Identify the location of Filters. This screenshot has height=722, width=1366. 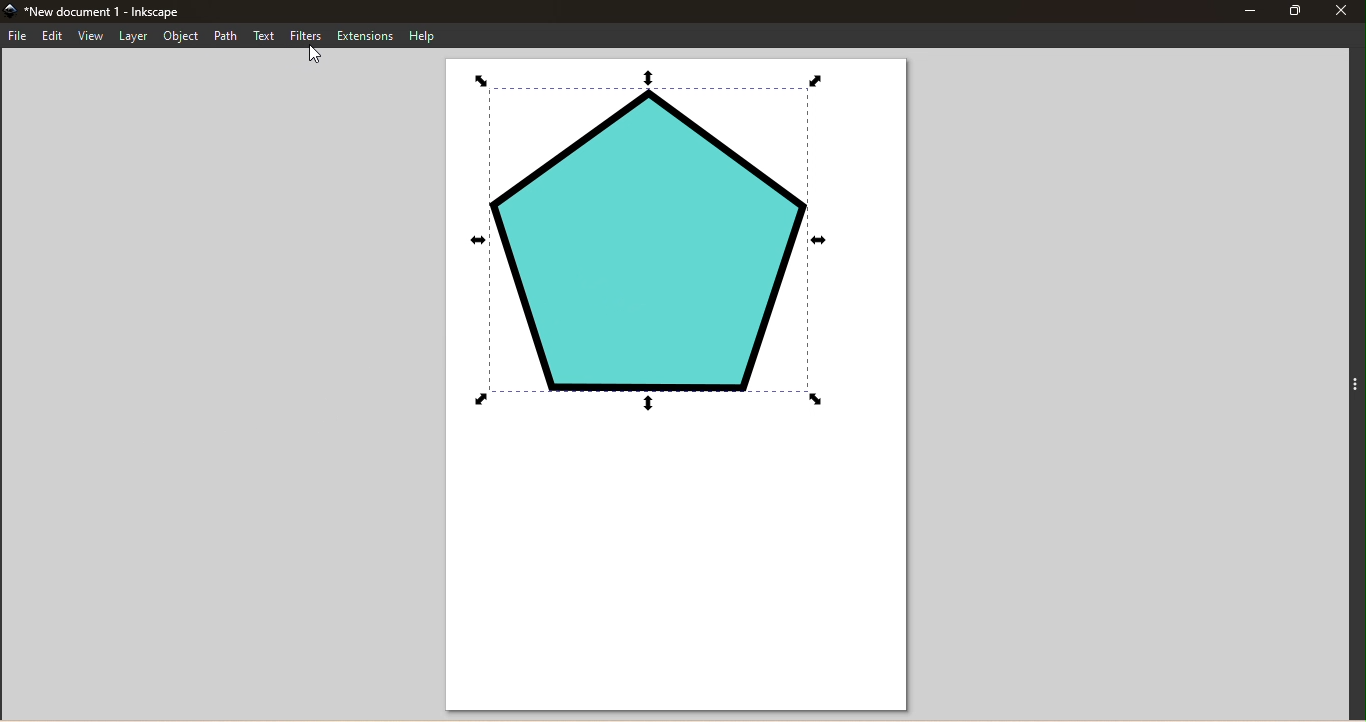
(308, 35).